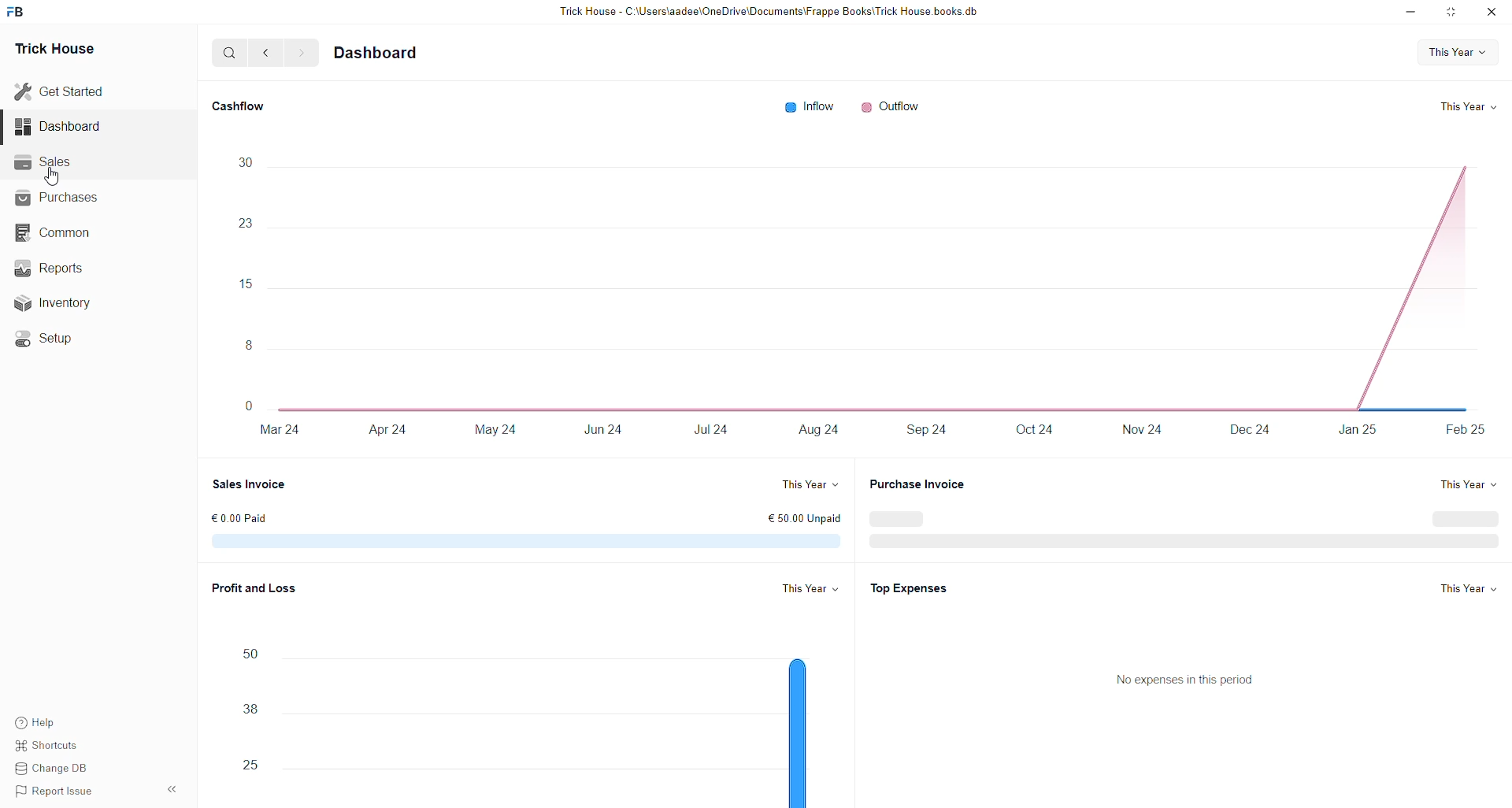 This screenshot has width=1512, height=808. What do you see at coordinates (249, 706) in the screenshot?
I see `Numbers` at bounding box center [249, 706].